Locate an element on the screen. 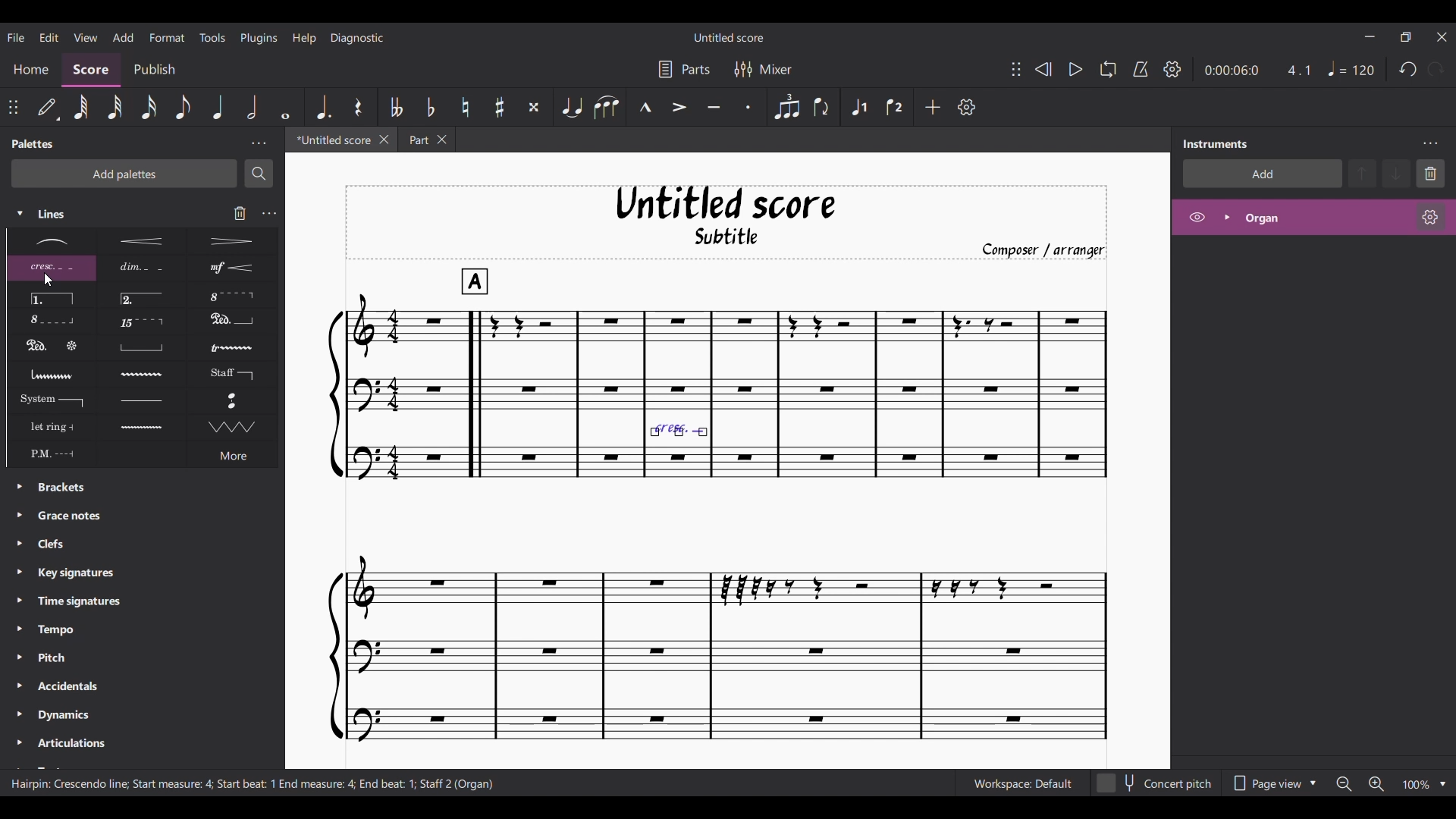  Tools menu is located at coordinates (212, 36).